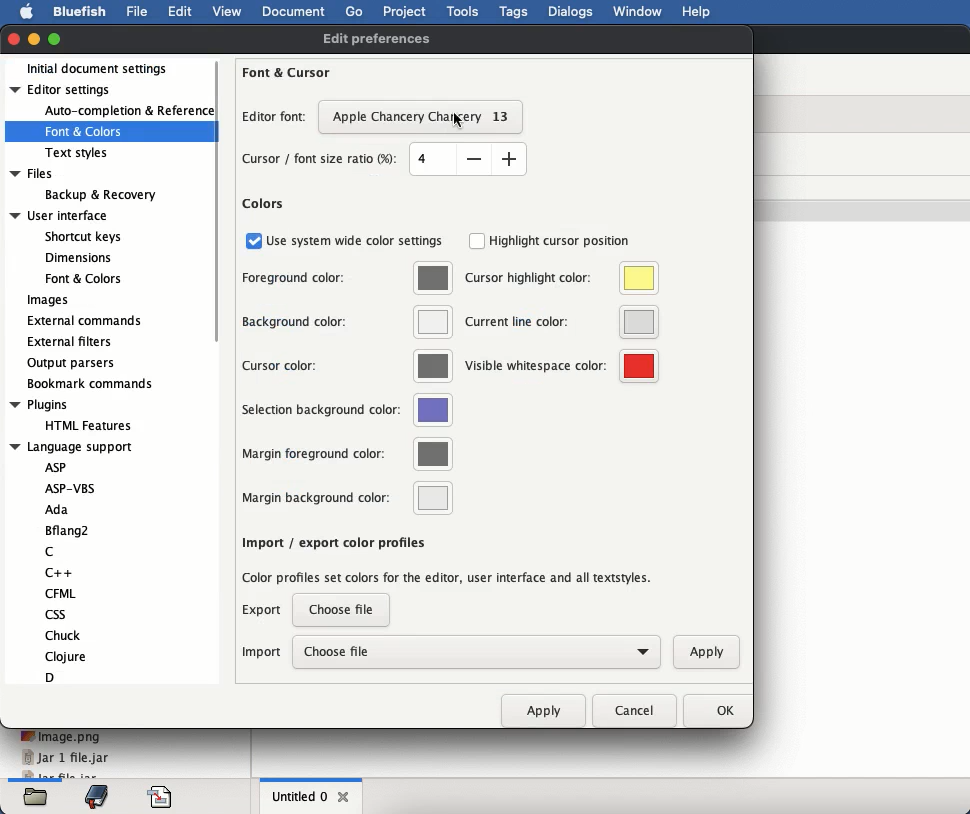 Image resolution: width=970 pixels, height=814 pixels. What do you see at coordinates (475, 651) in the screenshot?
I see `choose file` at bounding box center [475, 651].